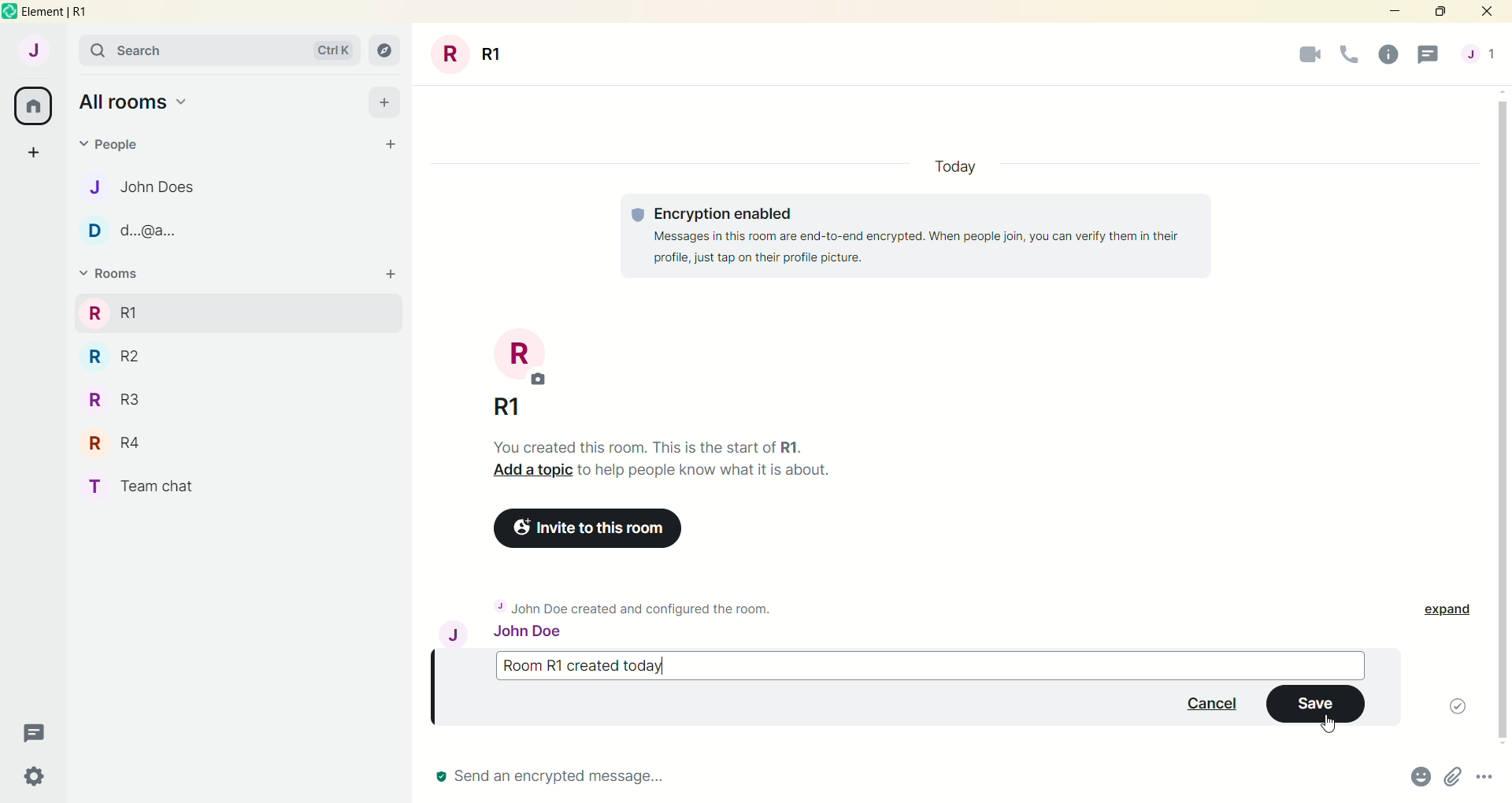 The image size is (1512, 803). I want to click on John Doe, so click(517, 635).